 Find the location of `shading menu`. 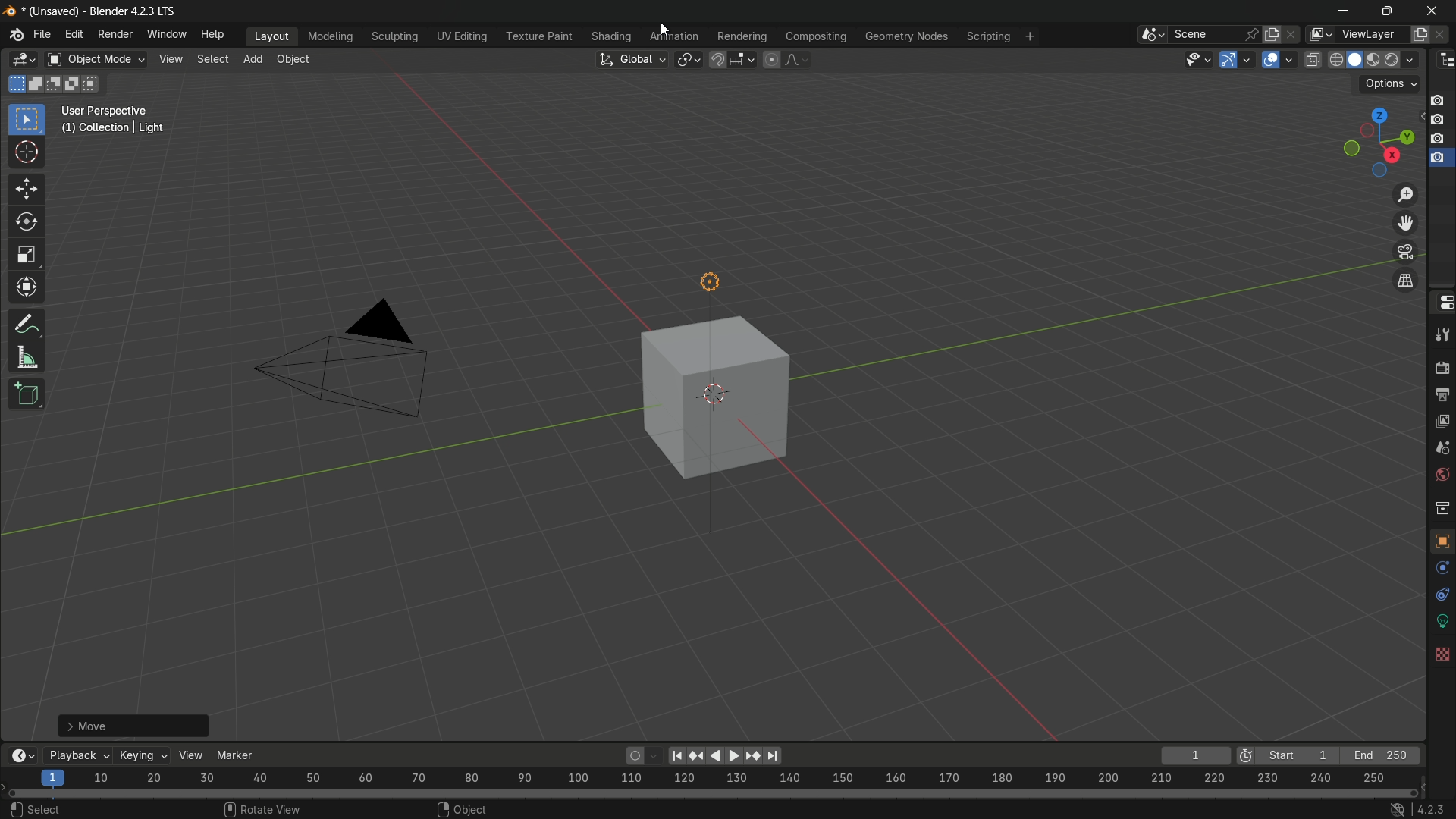

shading menu is located at coordinates (613, 36).